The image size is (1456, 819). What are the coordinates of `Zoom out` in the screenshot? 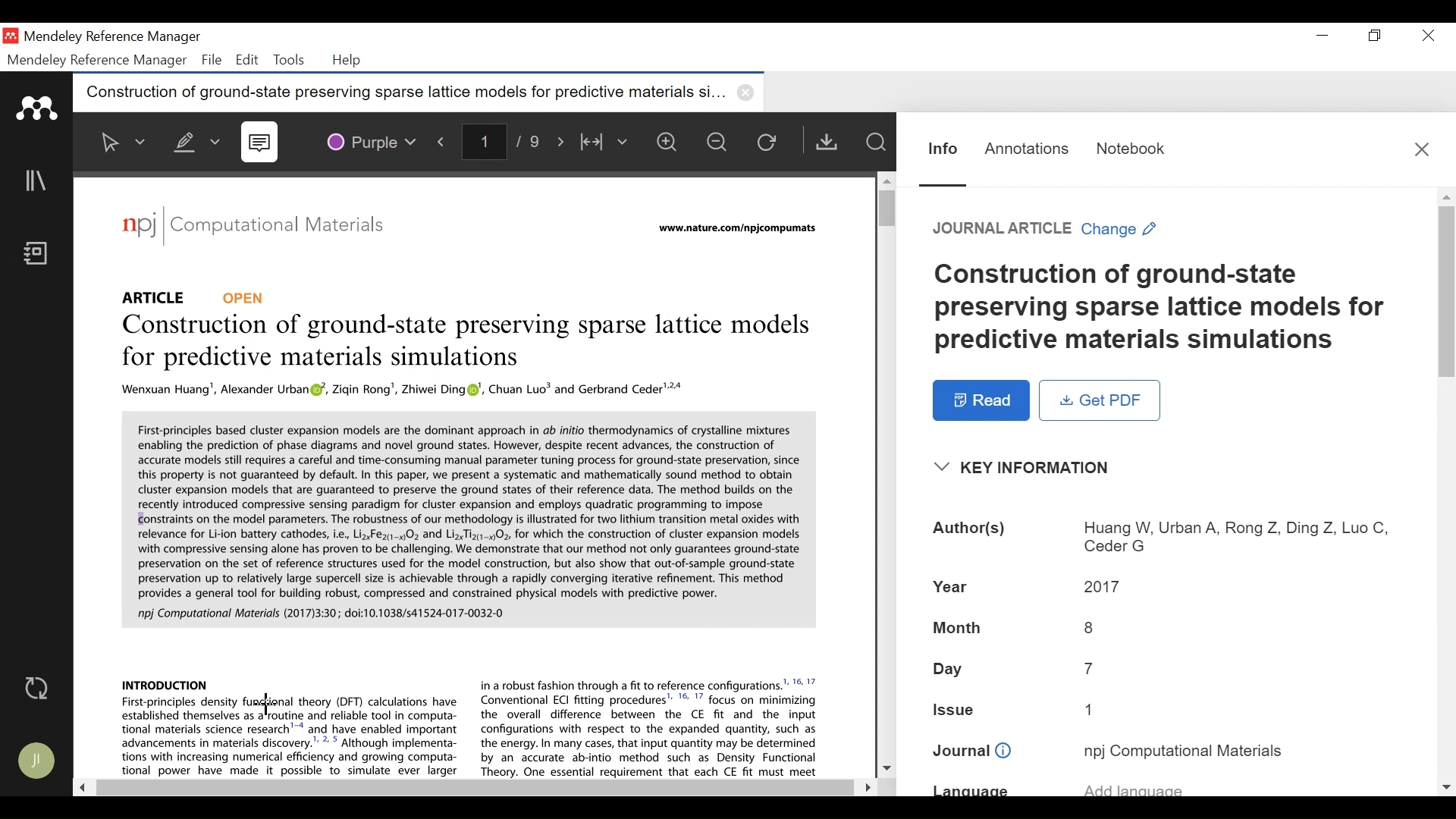 It's located at (723, 144).